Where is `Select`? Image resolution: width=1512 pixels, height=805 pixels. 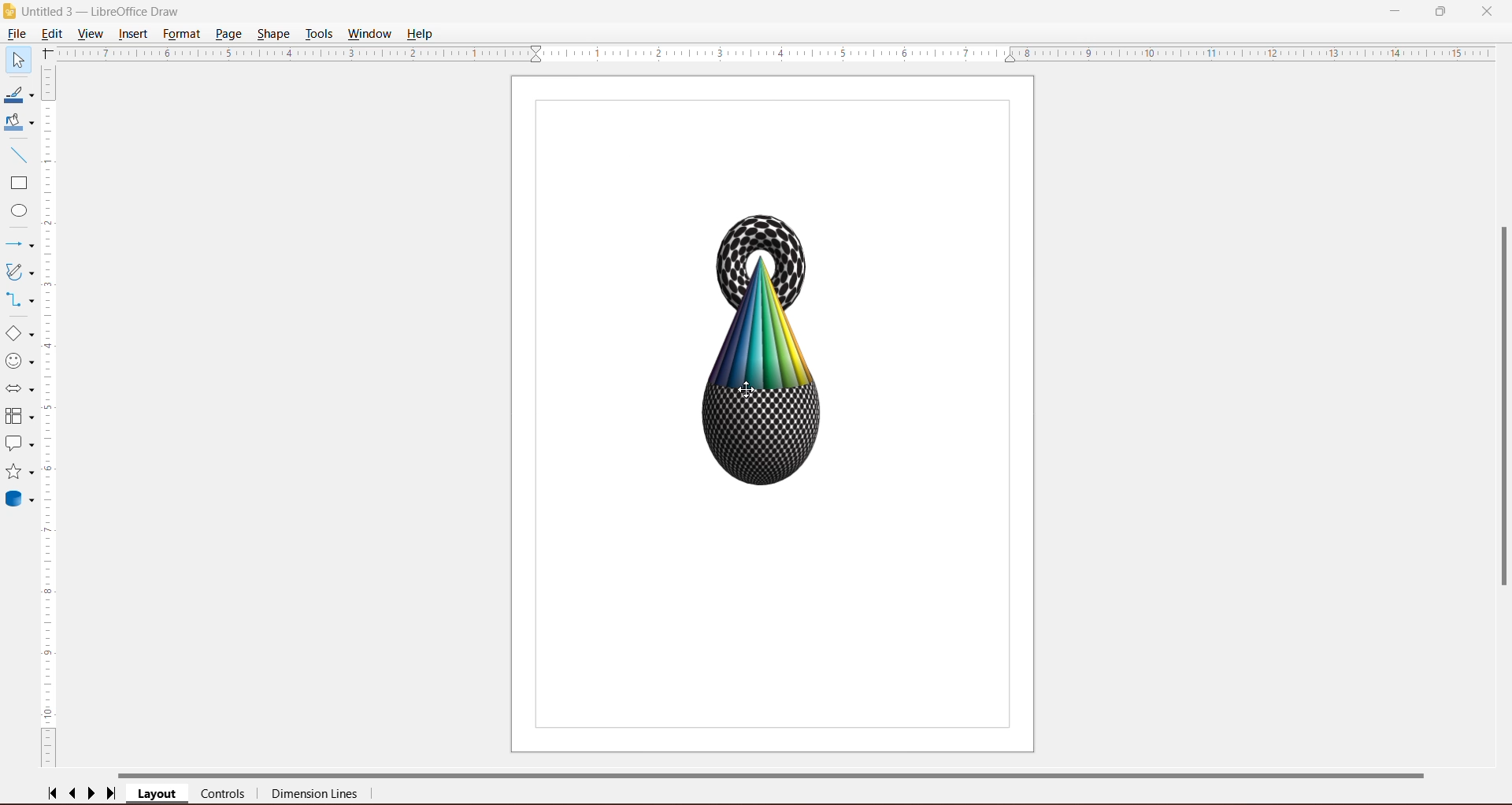
Select is located at coordinates (17, 59).